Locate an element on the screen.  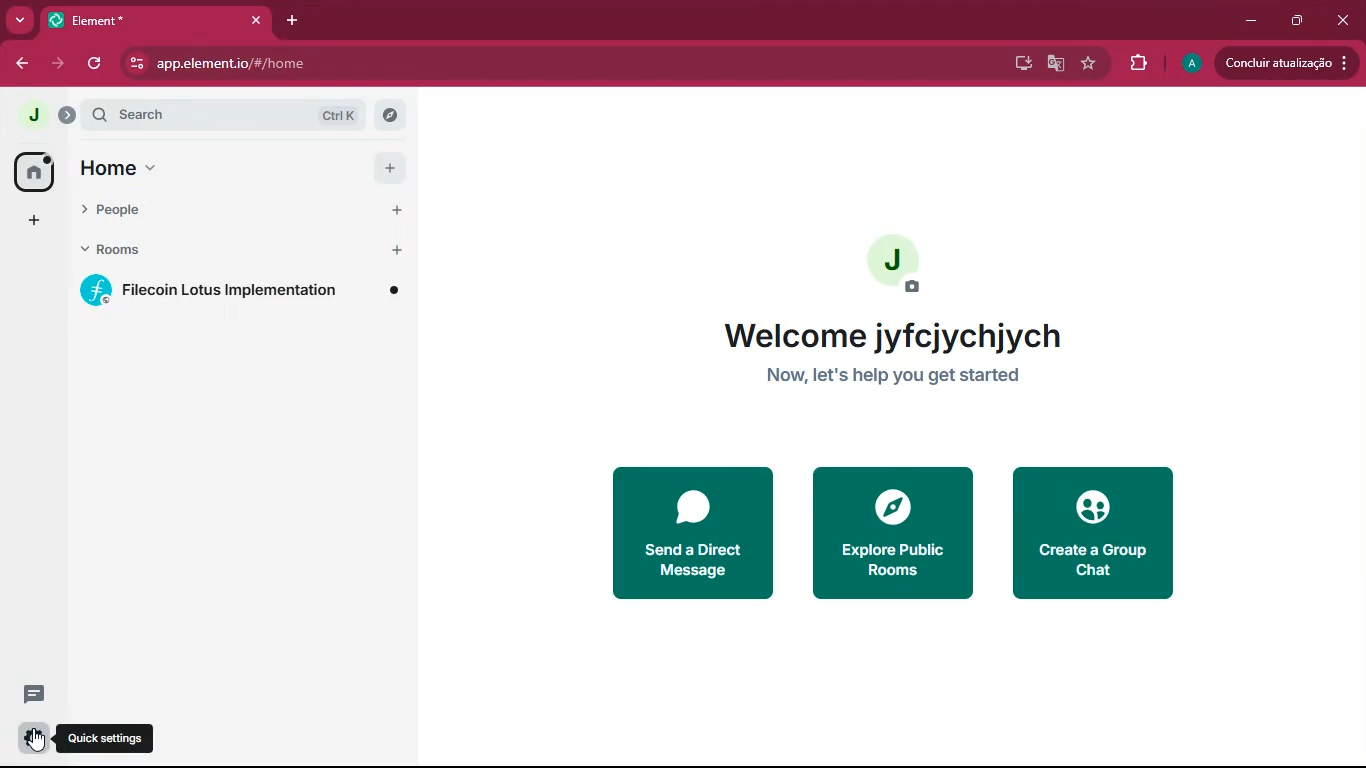
home is located at coordinates (208, 169).